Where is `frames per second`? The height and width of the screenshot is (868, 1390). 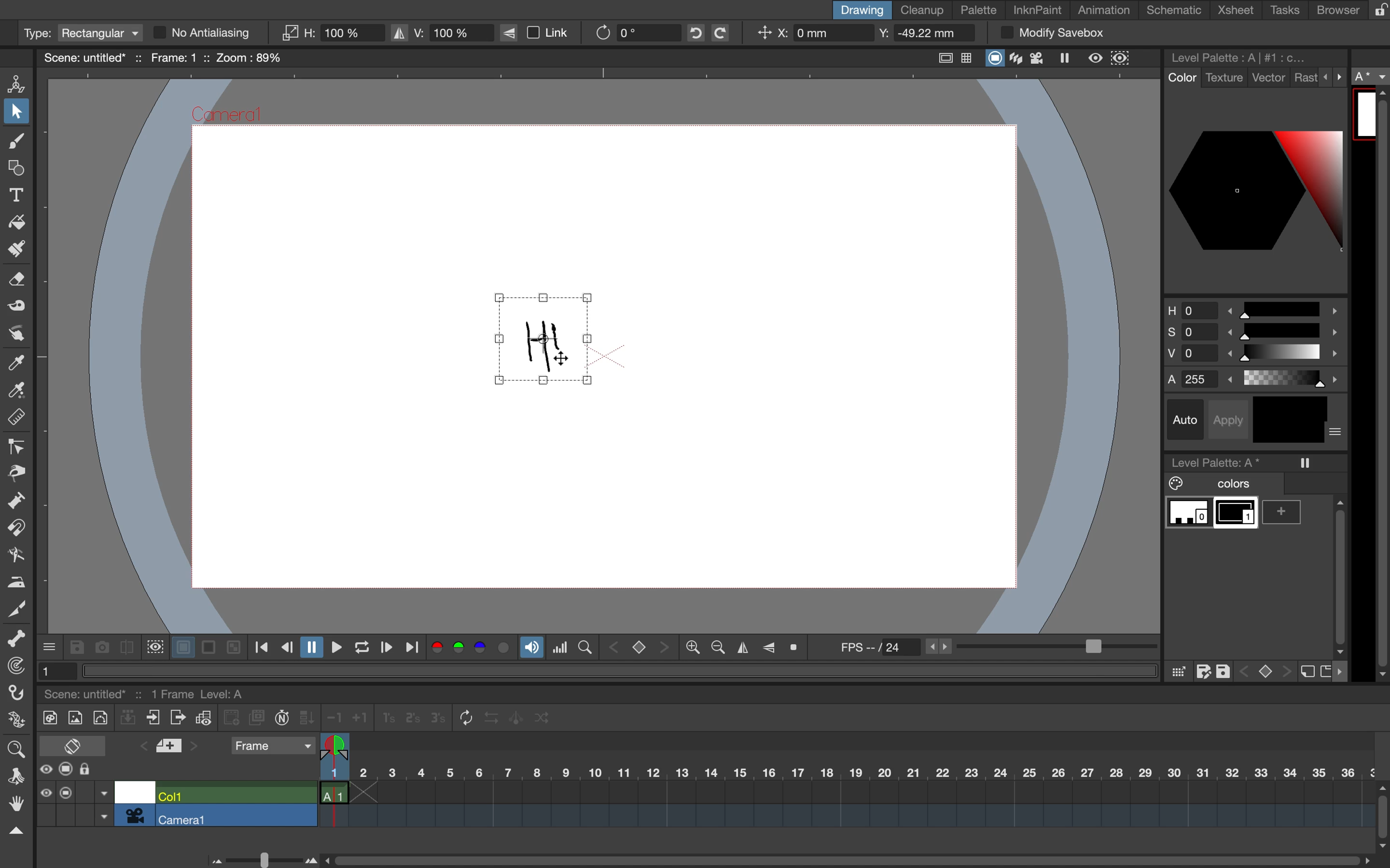
frames per second is located at coordinates (991, 648).